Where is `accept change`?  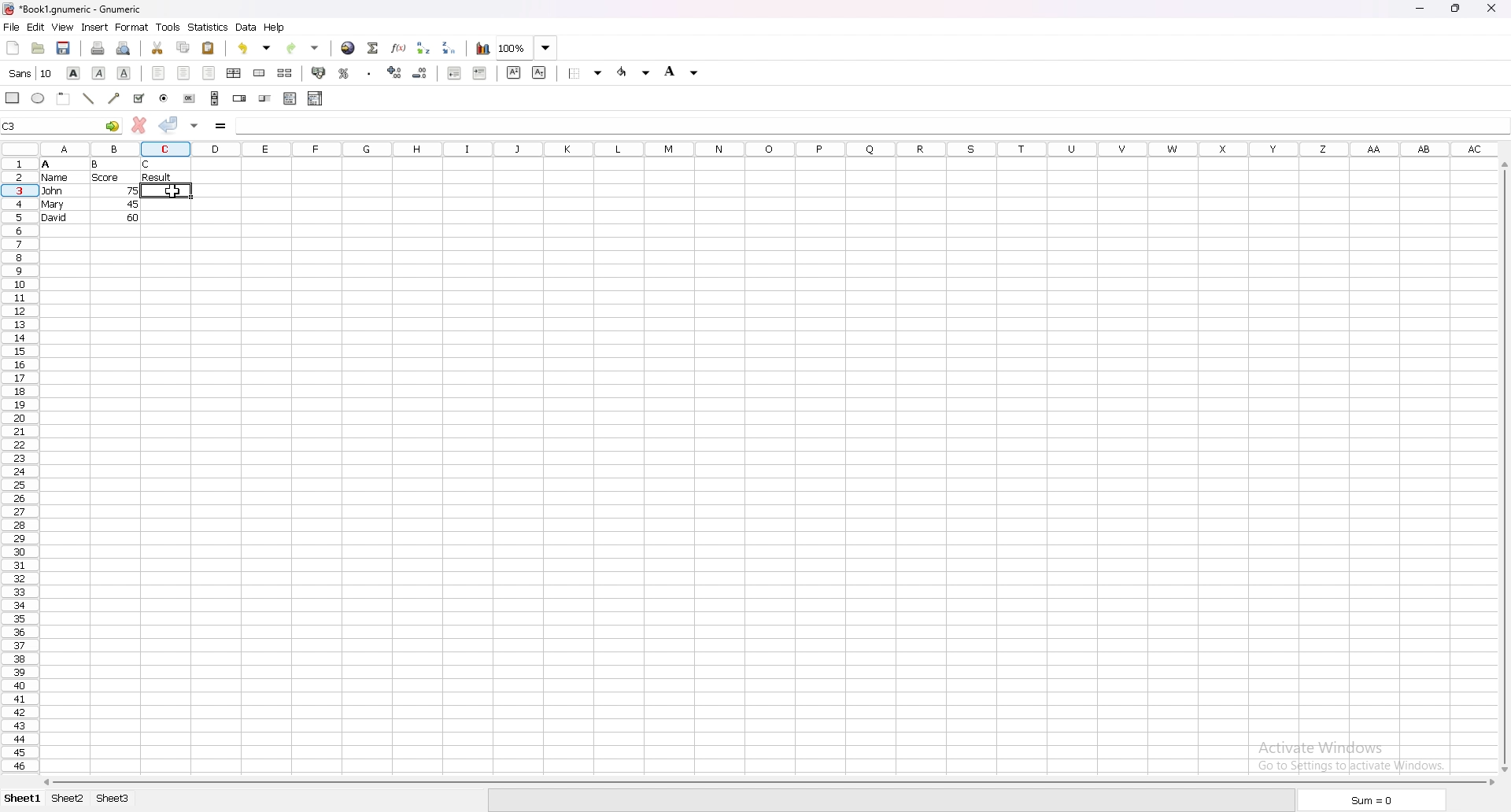
accept change is located at coordinates (170, 124).